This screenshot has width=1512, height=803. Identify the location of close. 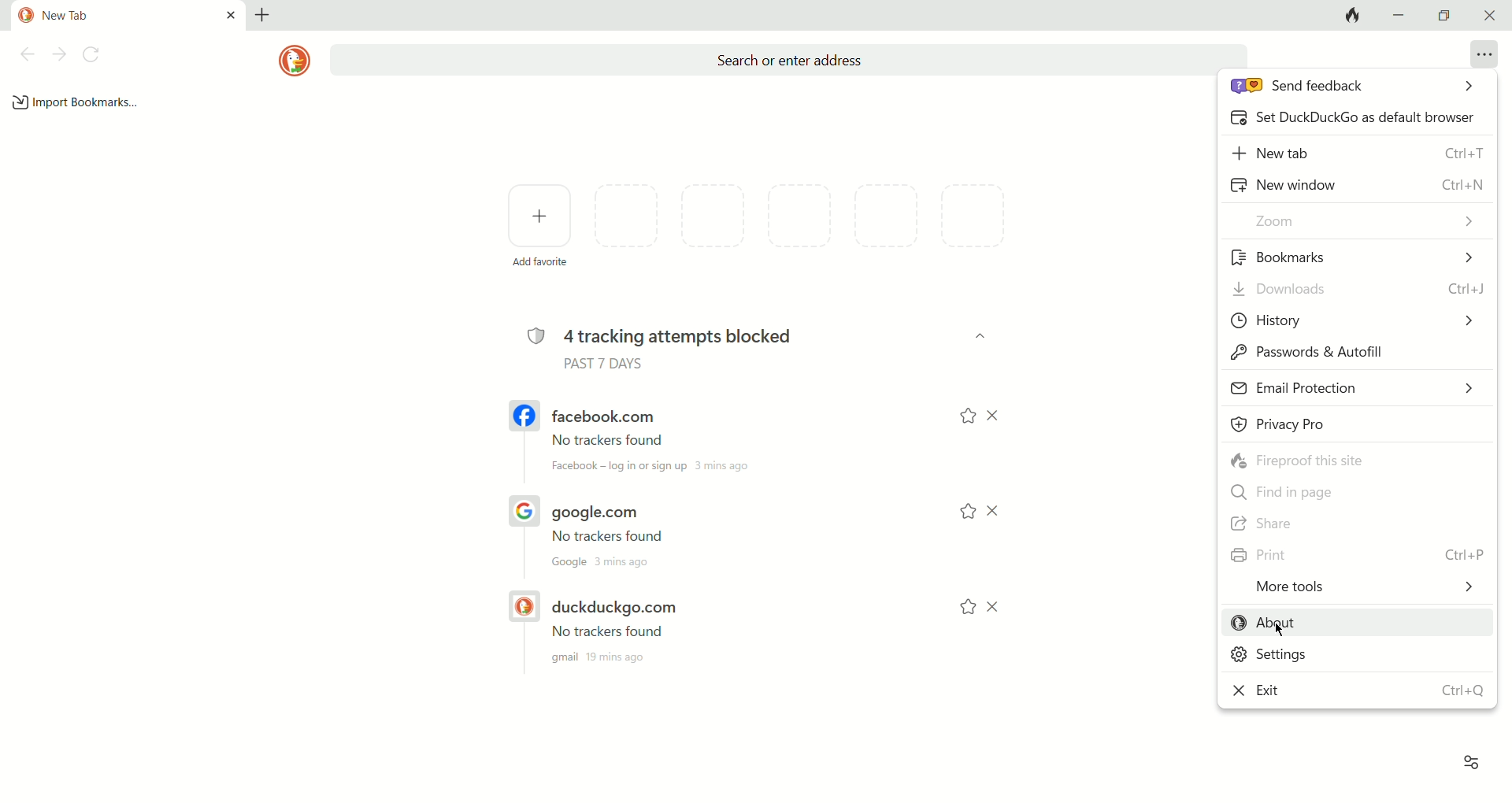
(1002, 606).